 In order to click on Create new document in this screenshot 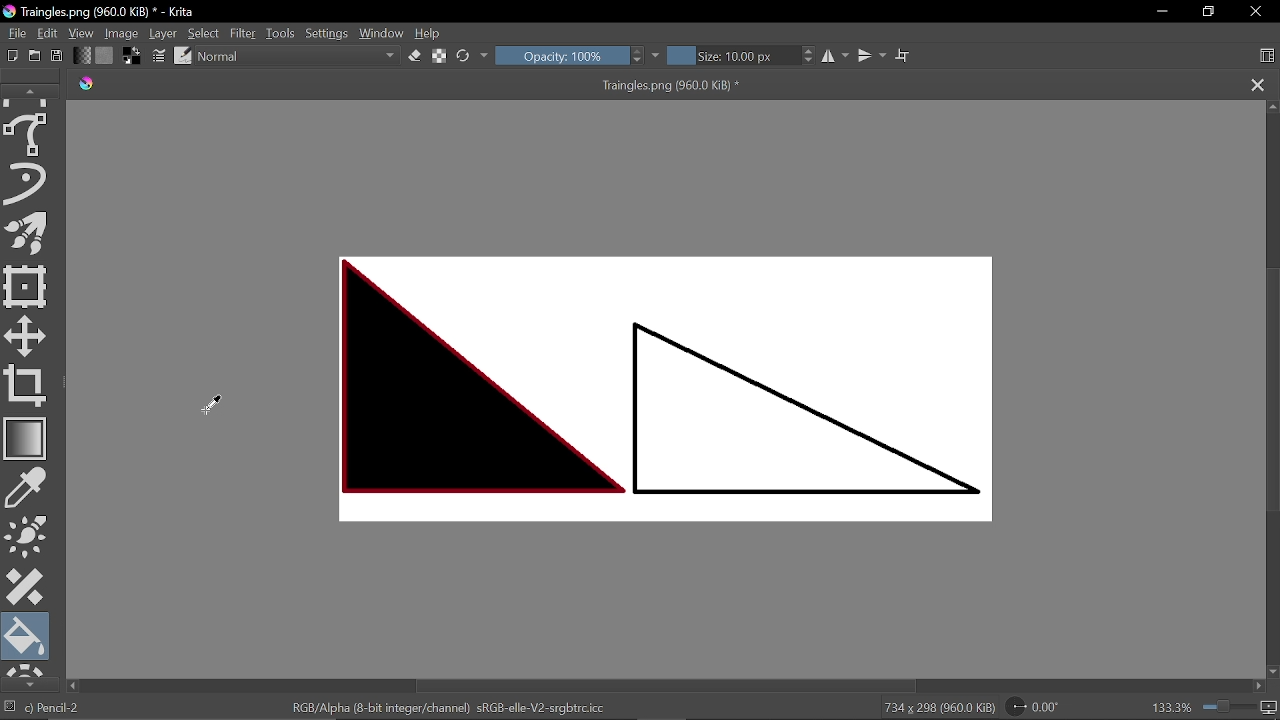, I will do `click(10, 56)`.